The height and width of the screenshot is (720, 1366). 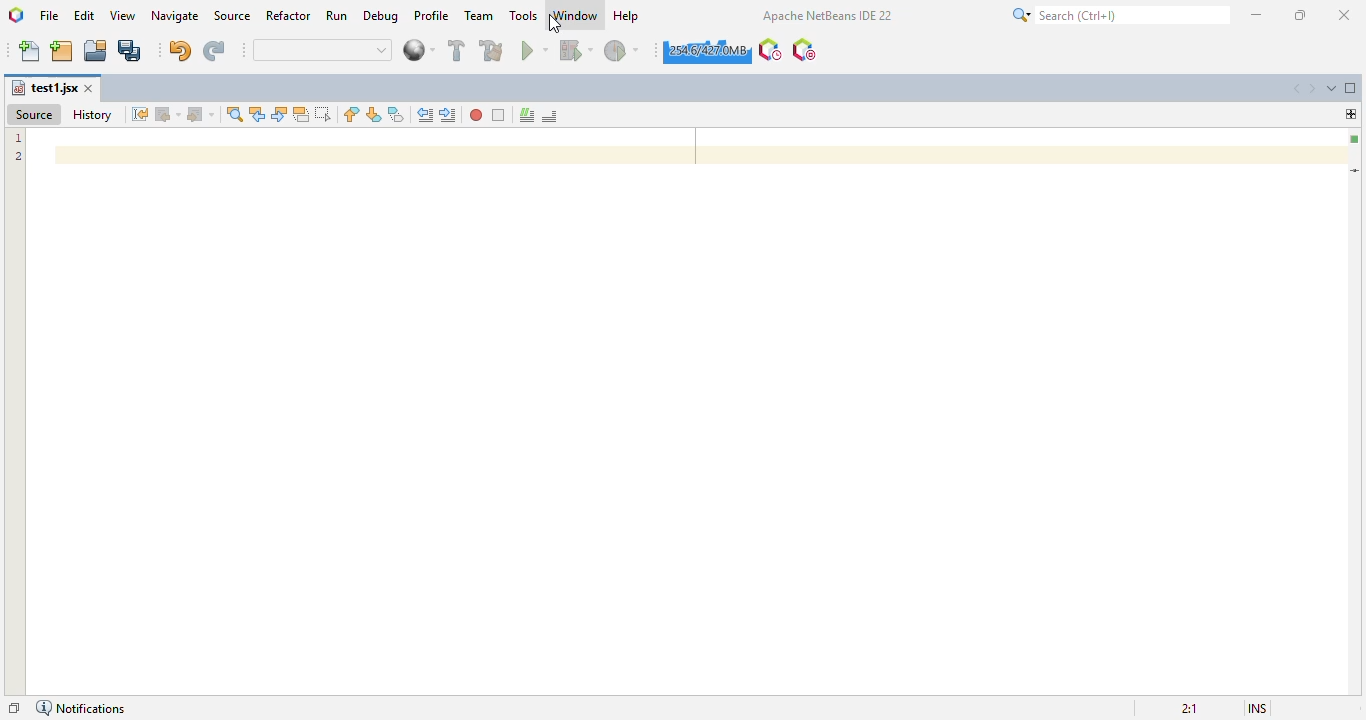 What do you see at coordinates (527, 116) in the screenshot?
I see `comment` at bounding box center [527, 116].